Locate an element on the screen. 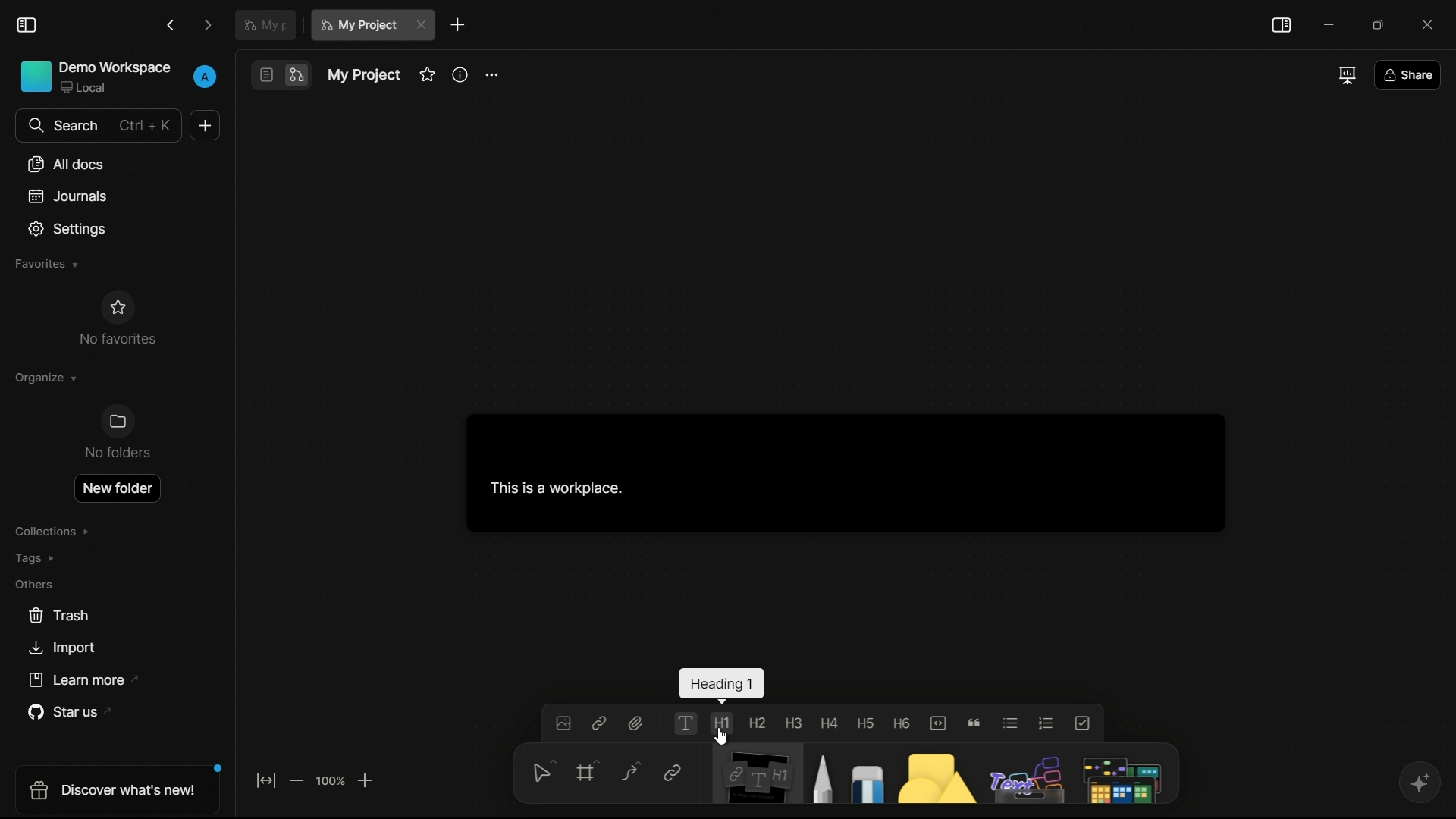  no favorites is located at coordinates (117, 319).